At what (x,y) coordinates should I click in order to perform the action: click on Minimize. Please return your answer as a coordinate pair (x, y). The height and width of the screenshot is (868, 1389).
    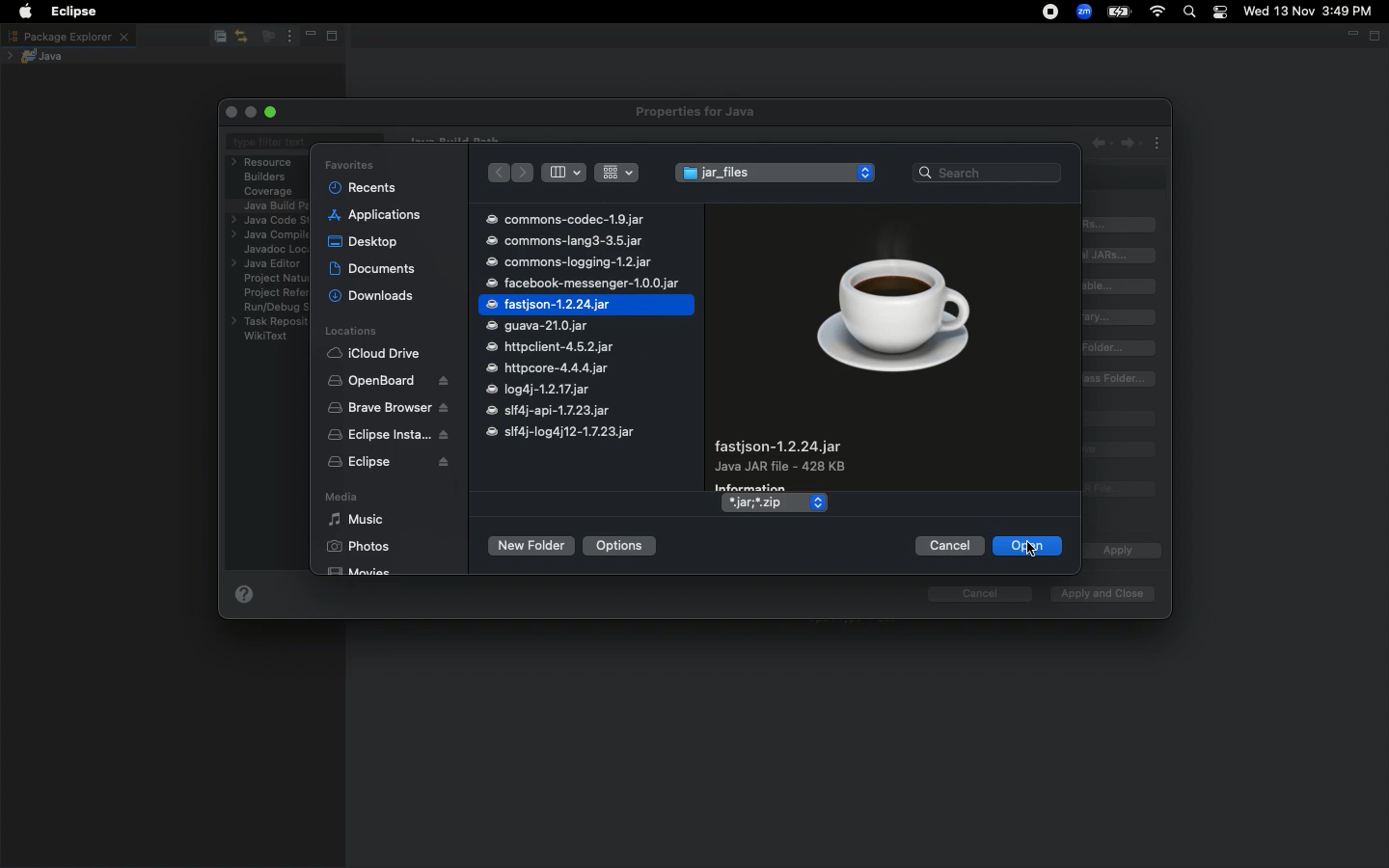
    Looking at the image, I should click on (1350, 38).